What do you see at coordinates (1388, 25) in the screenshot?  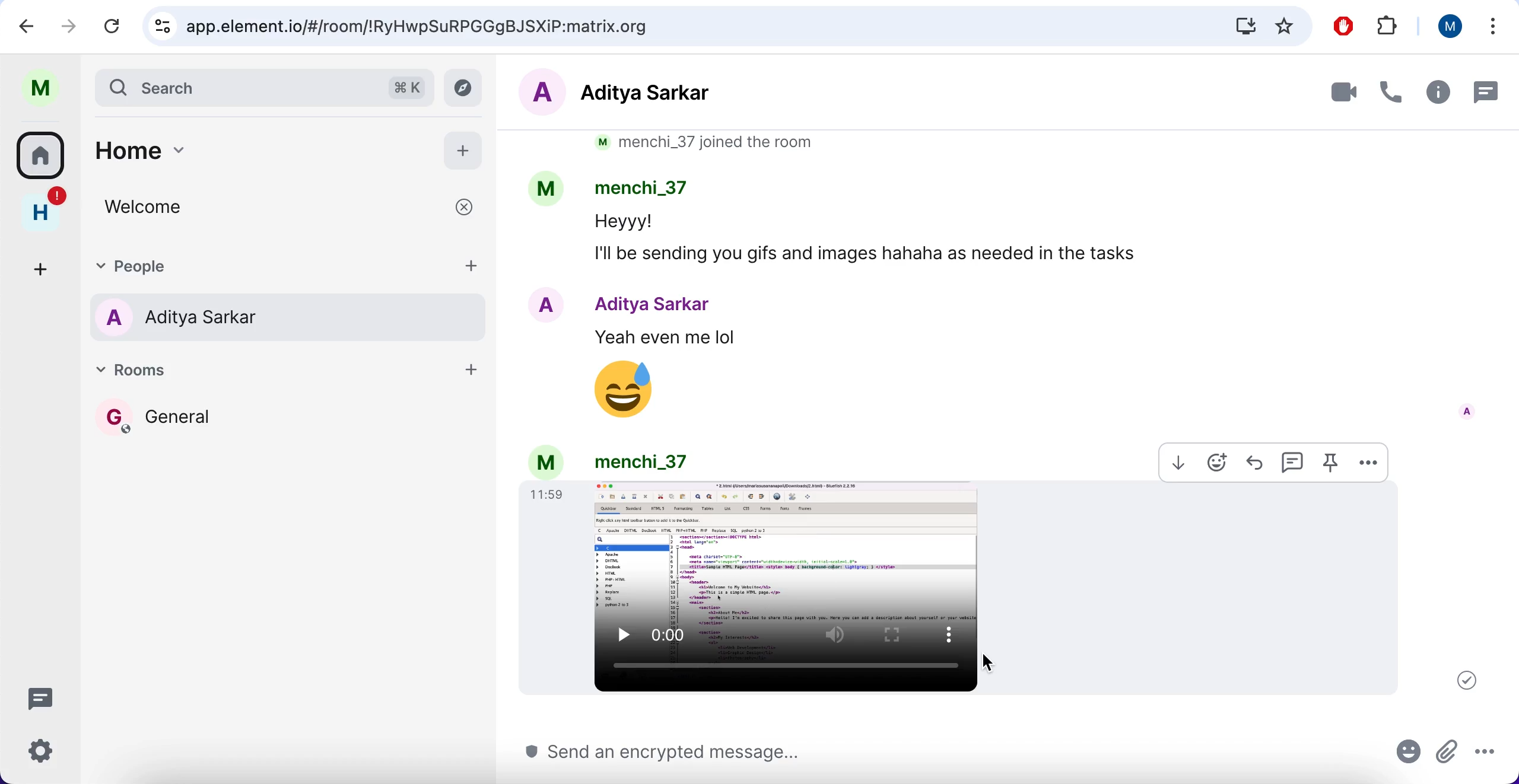 I see `extensions` at bounding box center [1388, 25].